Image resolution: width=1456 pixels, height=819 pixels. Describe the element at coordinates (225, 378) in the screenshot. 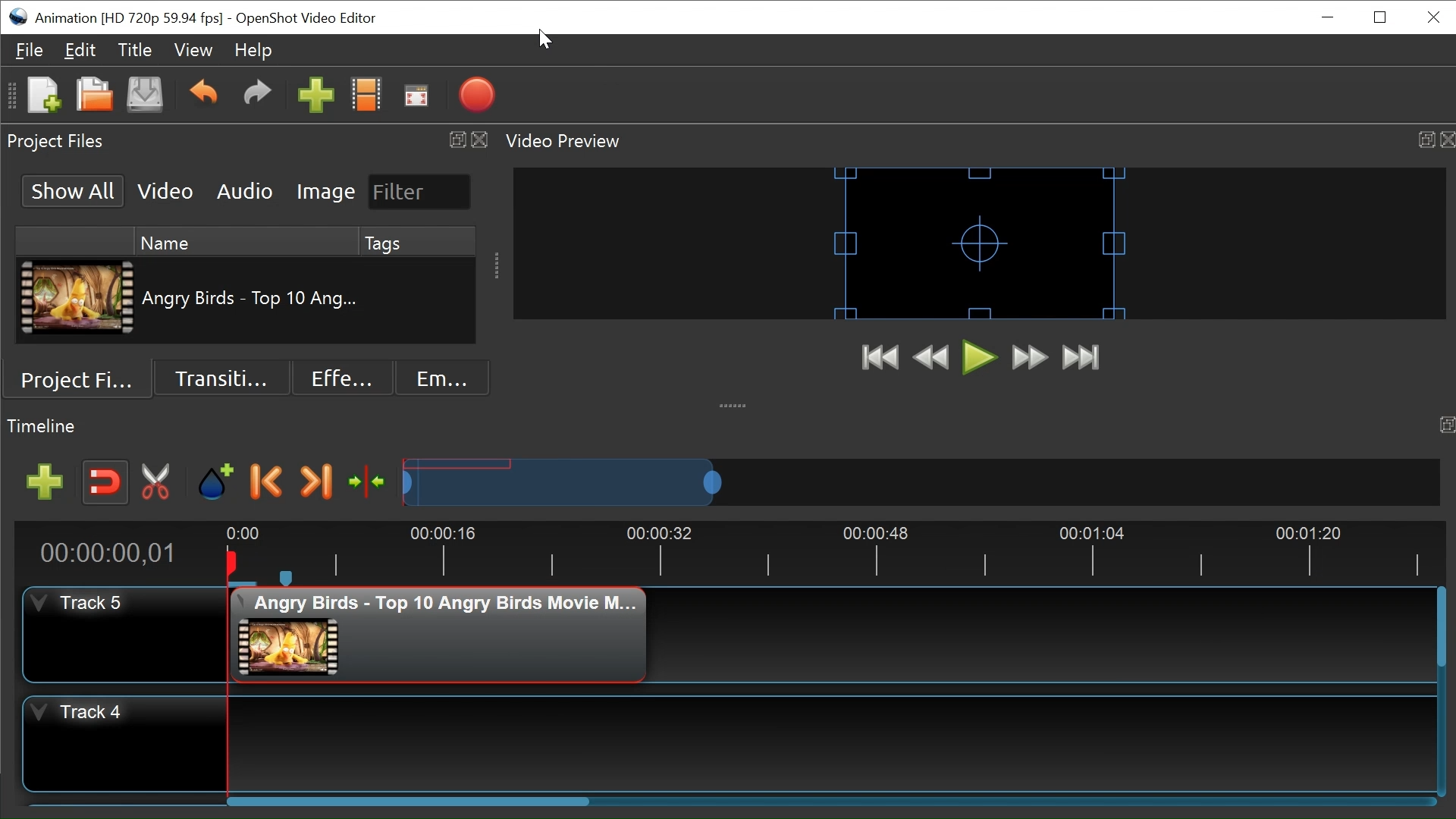

I see `Transition` at that location.